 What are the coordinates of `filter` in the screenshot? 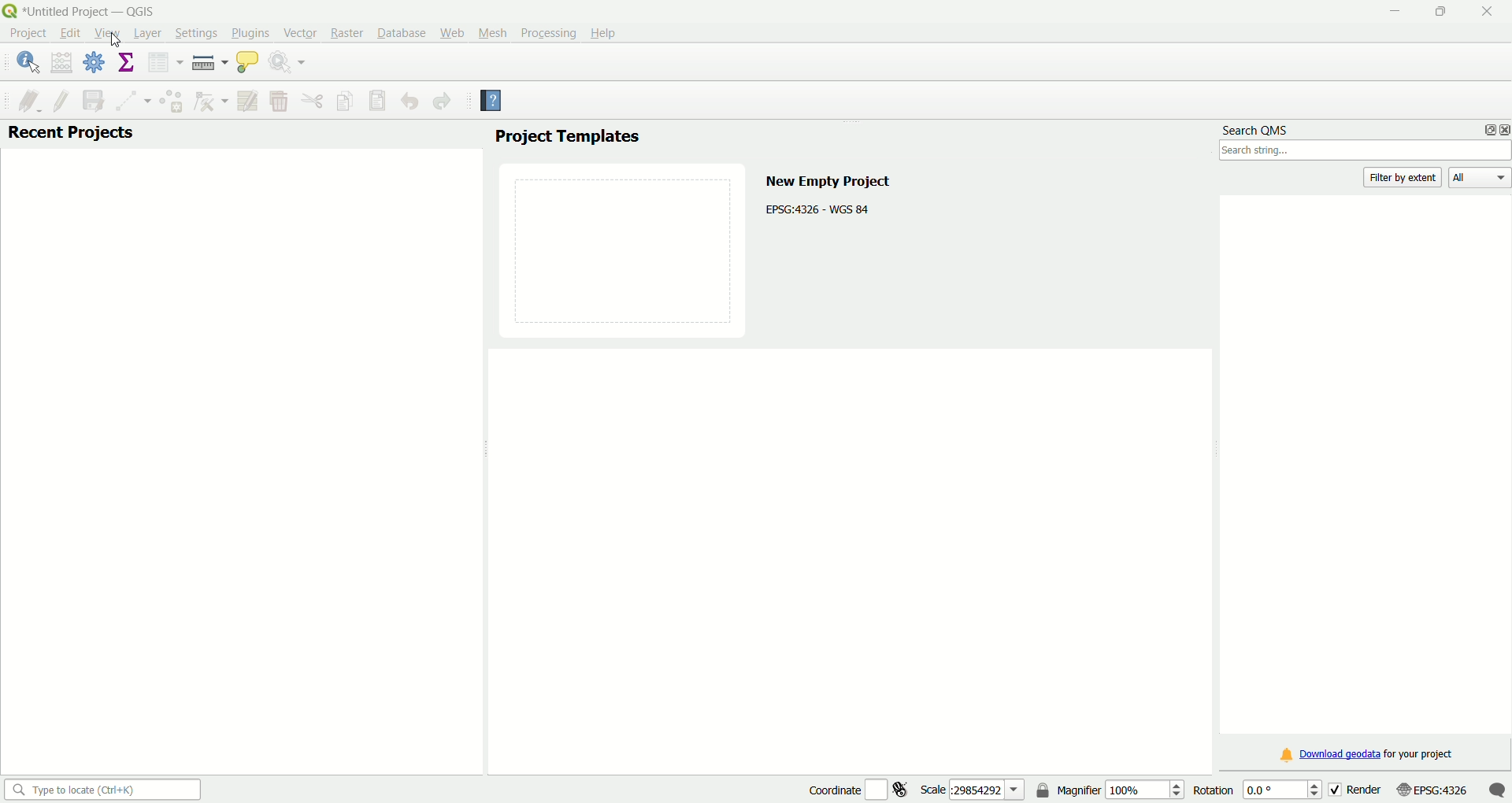 It's located at (1405, 177).